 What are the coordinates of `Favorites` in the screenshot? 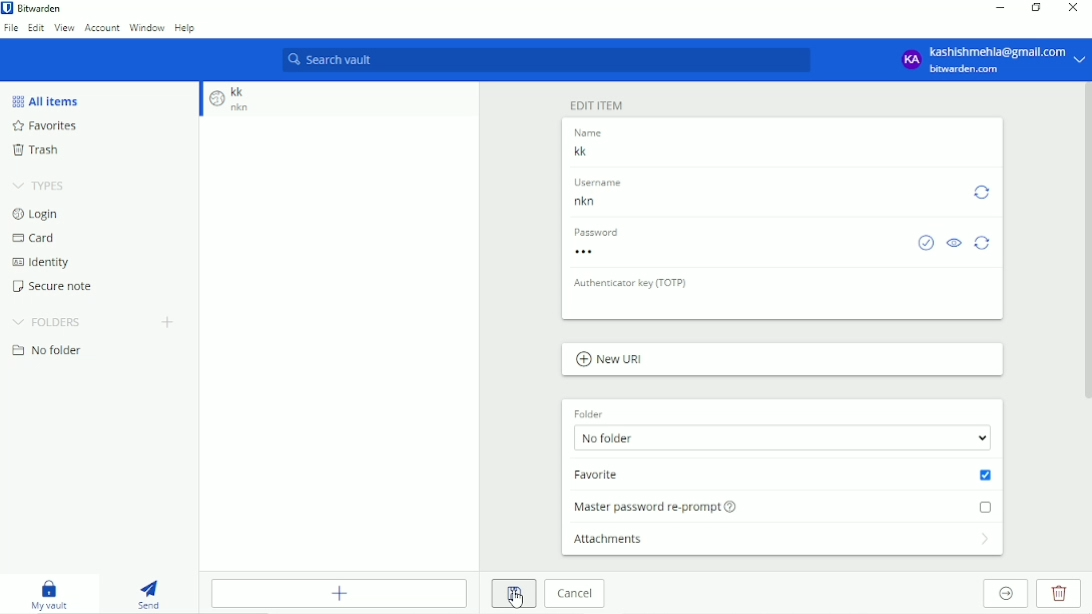 It's located at (48, 126).